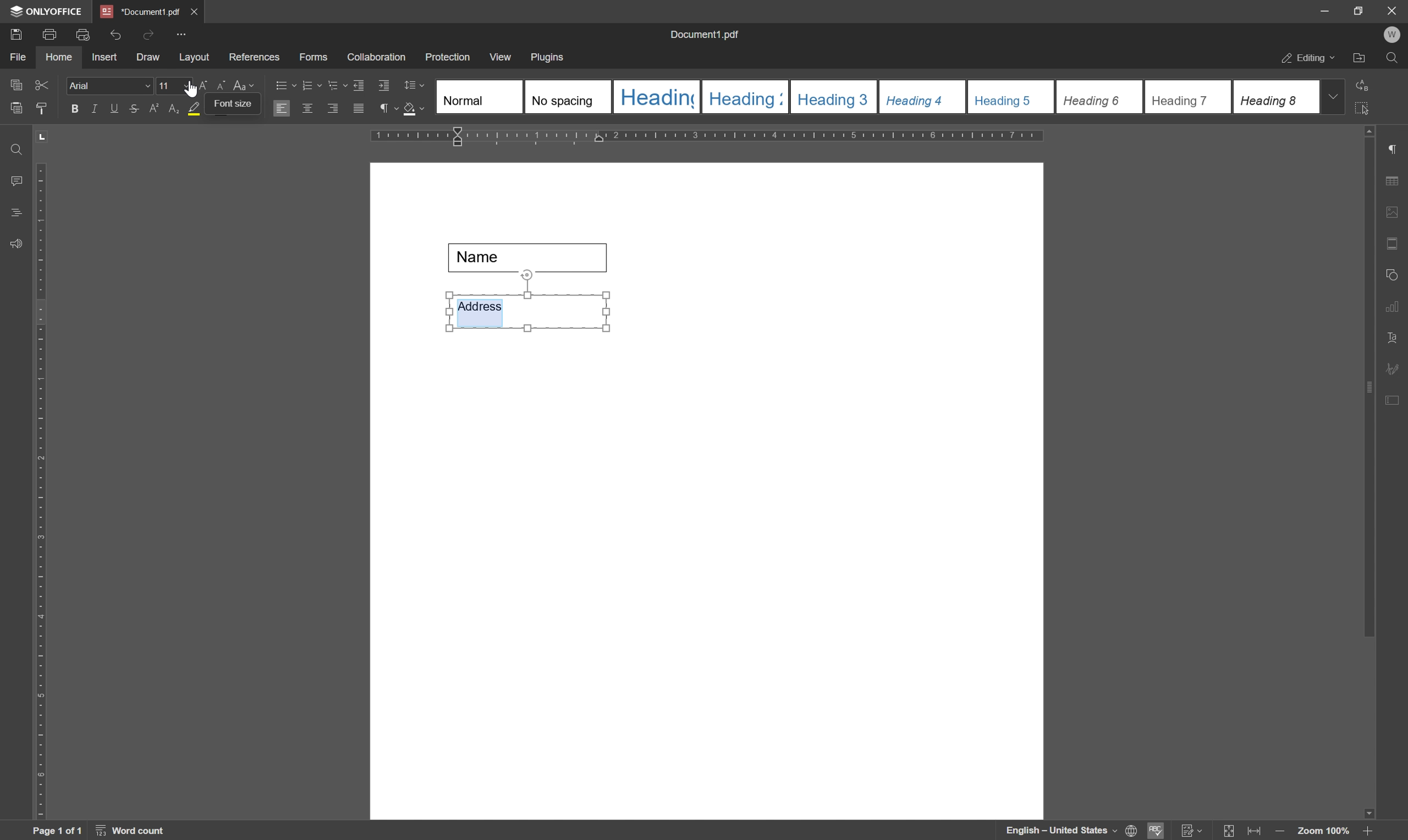  Describe the element at coordinates (1257, 832) in the screenshot. I see `fit to width` at that location.